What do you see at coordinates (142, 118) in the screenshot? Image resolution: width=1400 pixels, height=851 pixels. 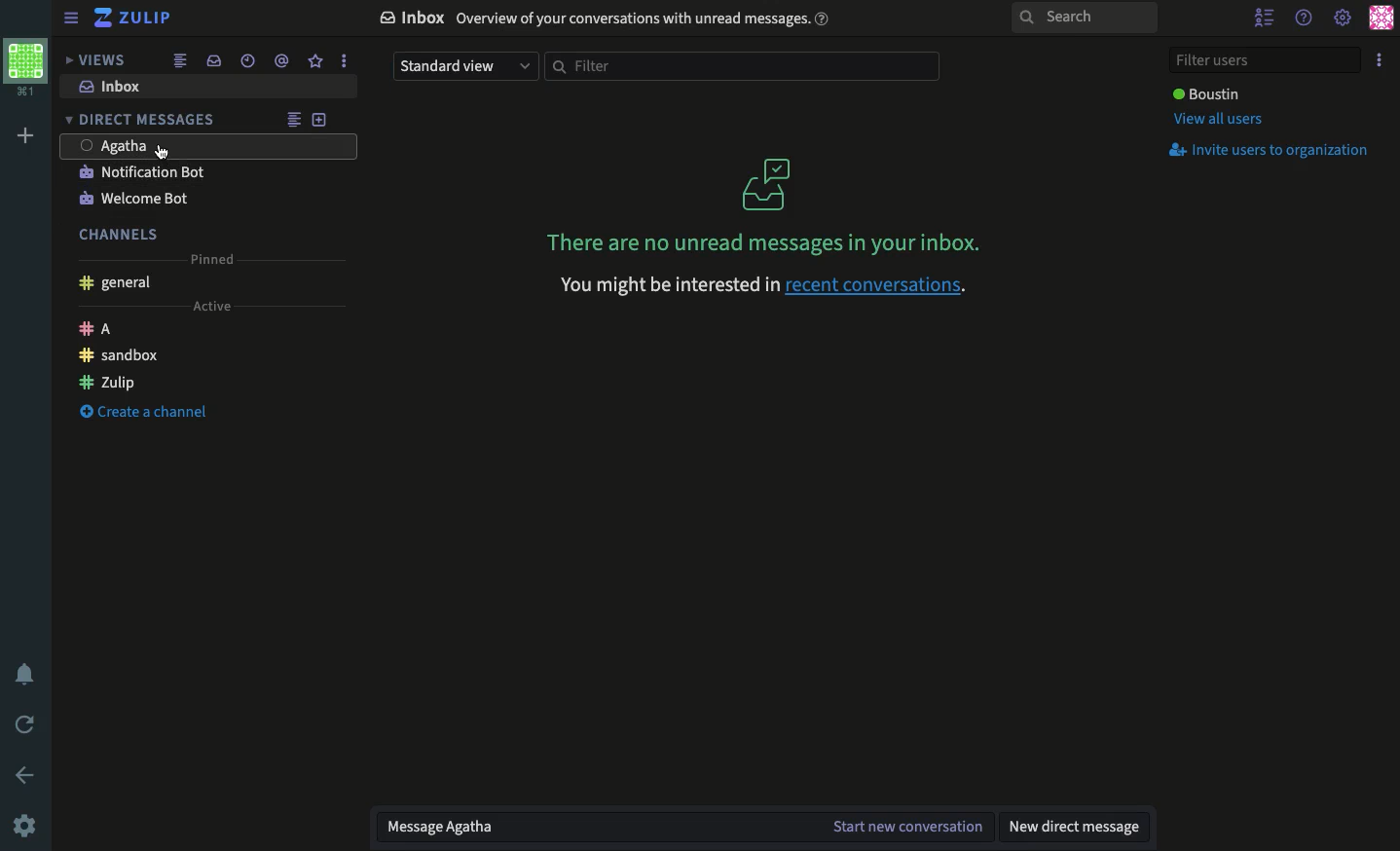 I see `DMs` at bounding box center [142, 118].